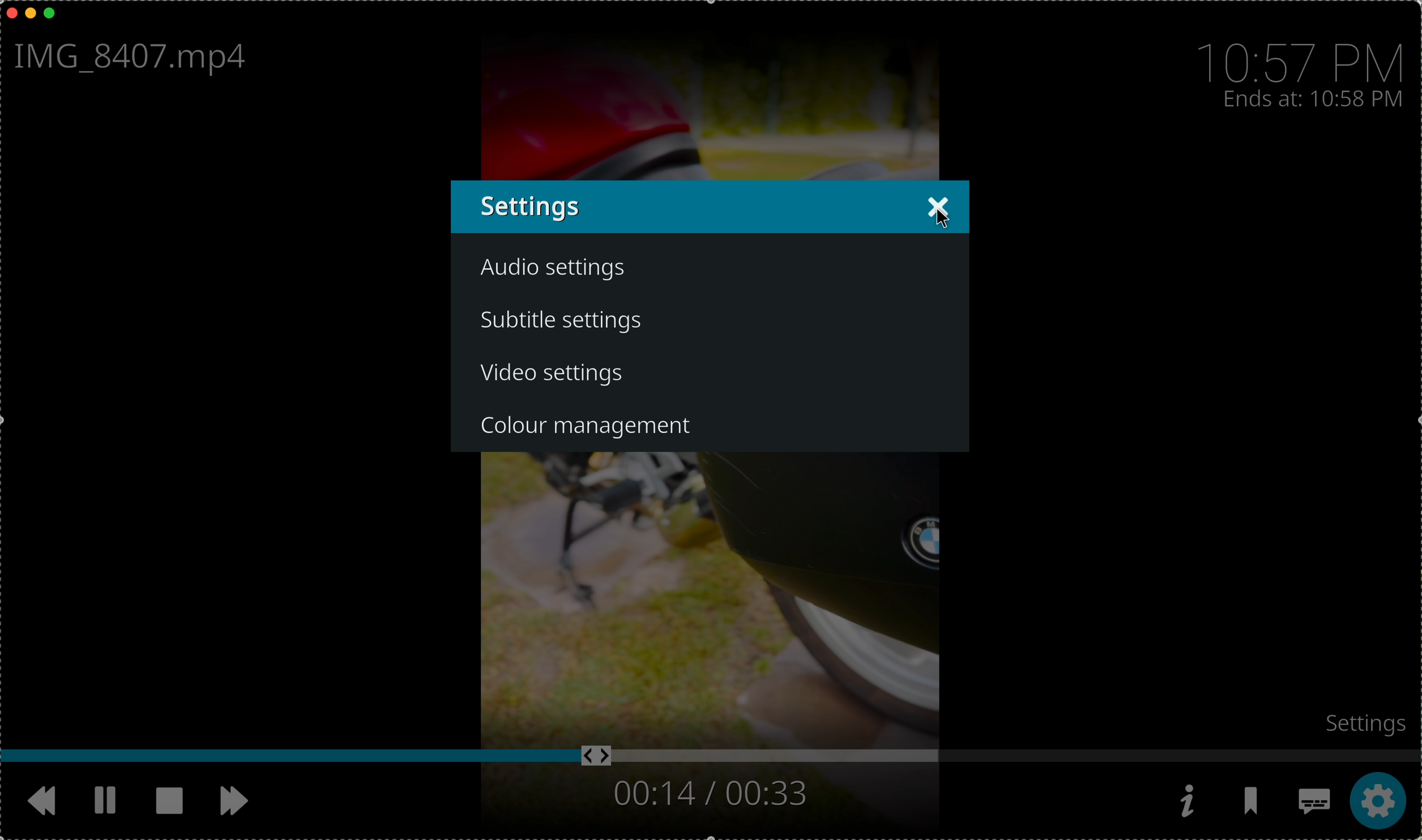 The image size is (1422, 840). What do you see at coordinates (31, 16) in the screenshot?
I see `minimize ` at bounding box center [31, 16].